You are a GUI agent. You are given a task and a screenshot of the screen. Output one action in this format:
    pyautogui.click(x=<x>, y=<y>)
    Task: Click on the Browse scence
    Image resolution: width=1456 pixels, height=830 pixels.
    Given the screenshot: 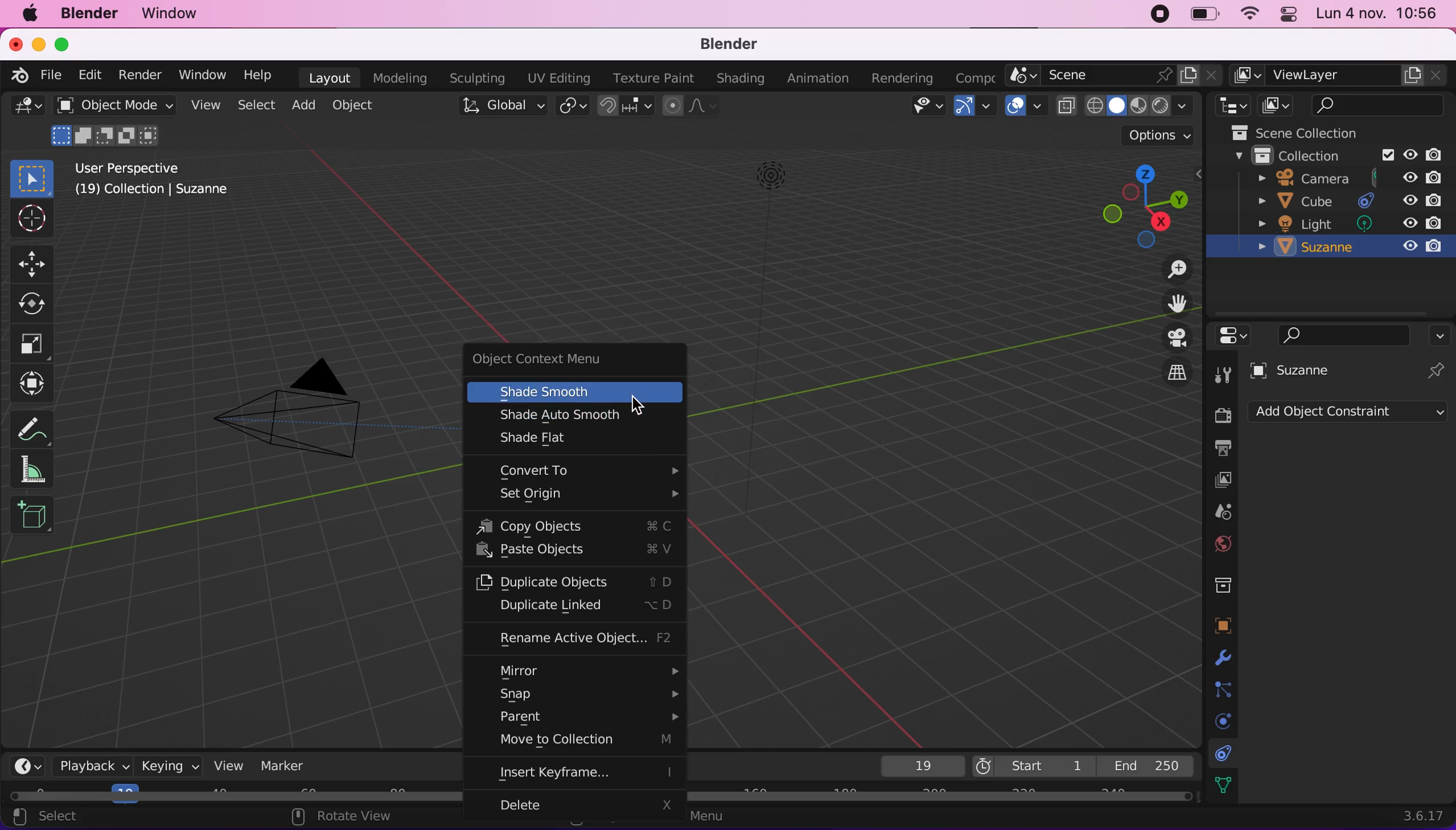 What is the action you would take?
    pyautogui.click(x=1021, y=75)
    